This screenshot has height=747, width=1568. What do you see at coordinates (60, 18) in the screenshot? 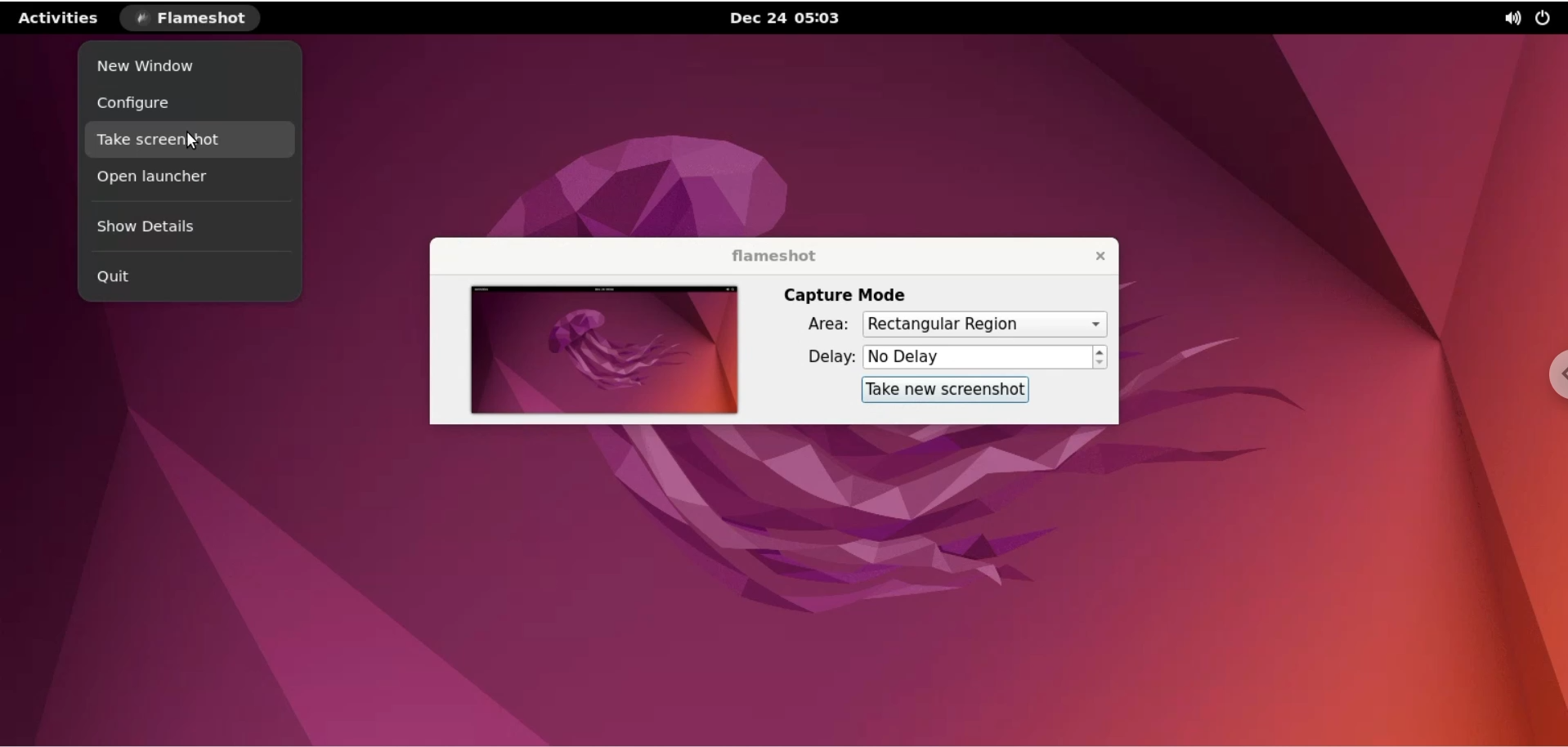
I see `activities ` at bounding box center [60, 18].